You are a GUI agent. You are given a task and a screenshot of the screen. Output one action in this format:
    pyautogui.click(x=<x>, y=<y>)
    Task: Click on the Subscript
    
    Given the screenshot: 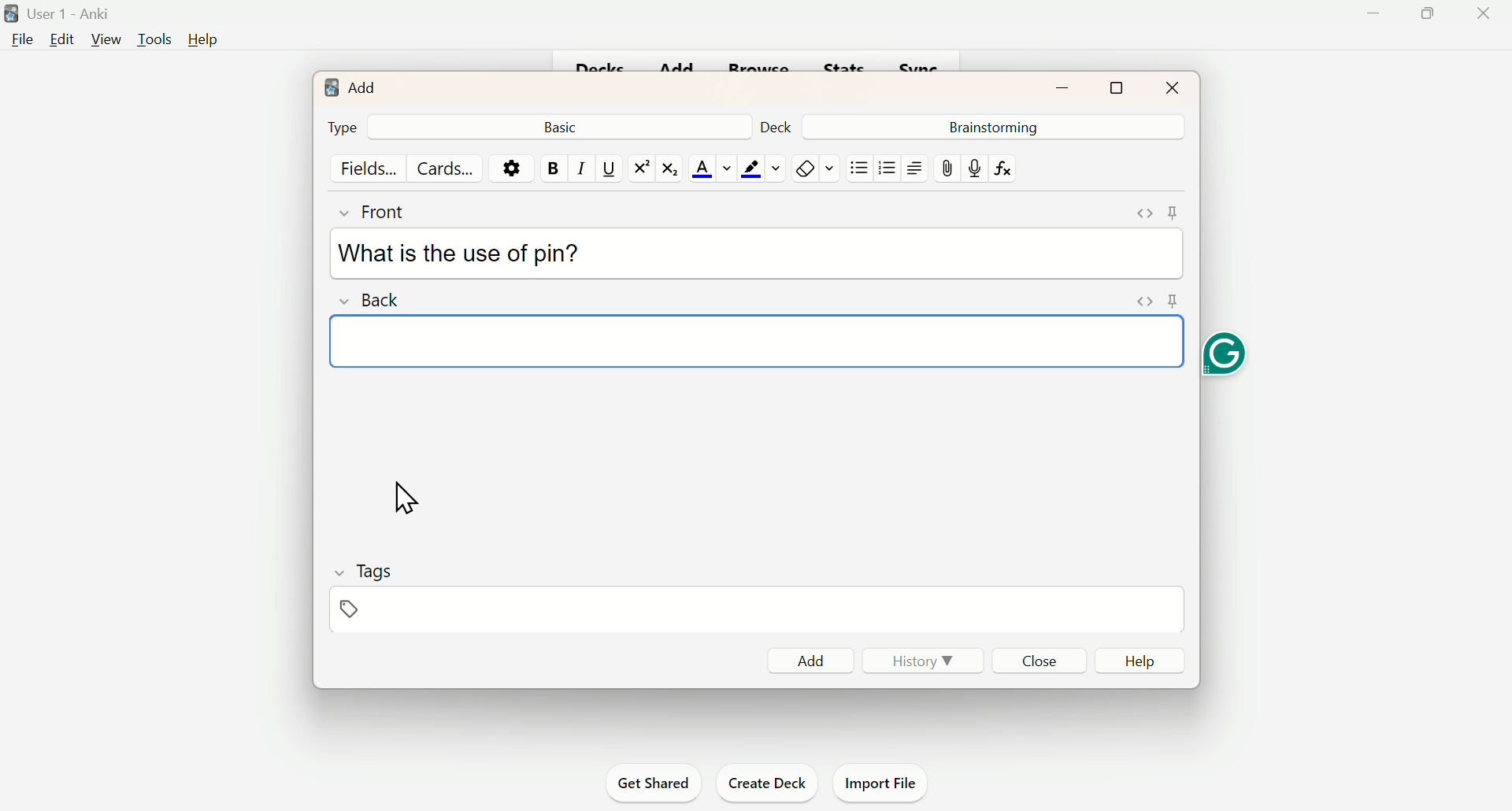 What is the action you would take?
    pyautogui.click(x=673, y=168)
    